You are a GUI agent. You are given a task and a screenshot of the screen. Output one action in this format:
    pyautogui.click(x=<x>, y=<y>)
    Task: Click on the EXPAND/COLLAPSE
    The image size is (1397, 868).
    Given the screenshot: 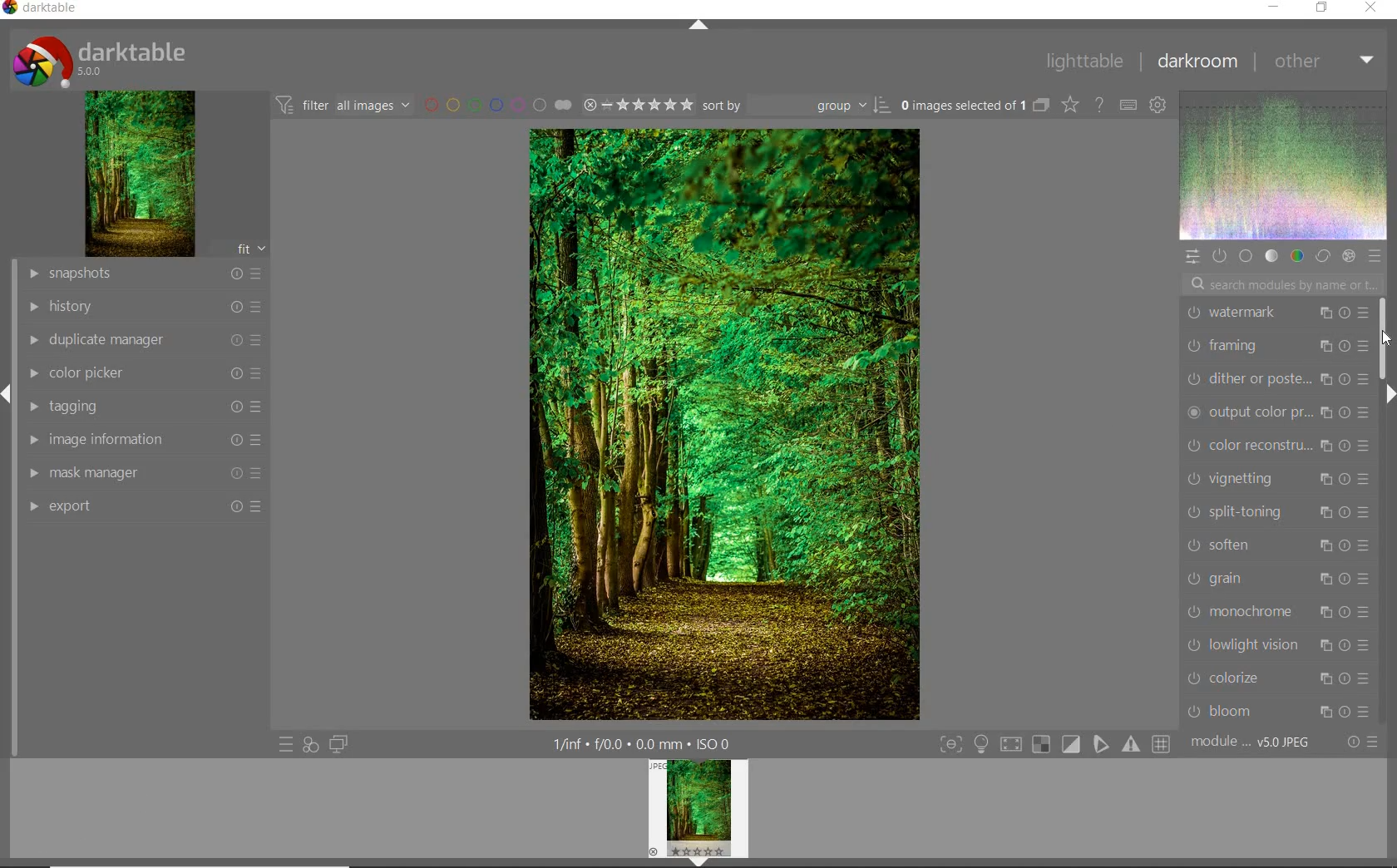 What is the action you would take?
    pyautogui.click(x=697, y=24)
    